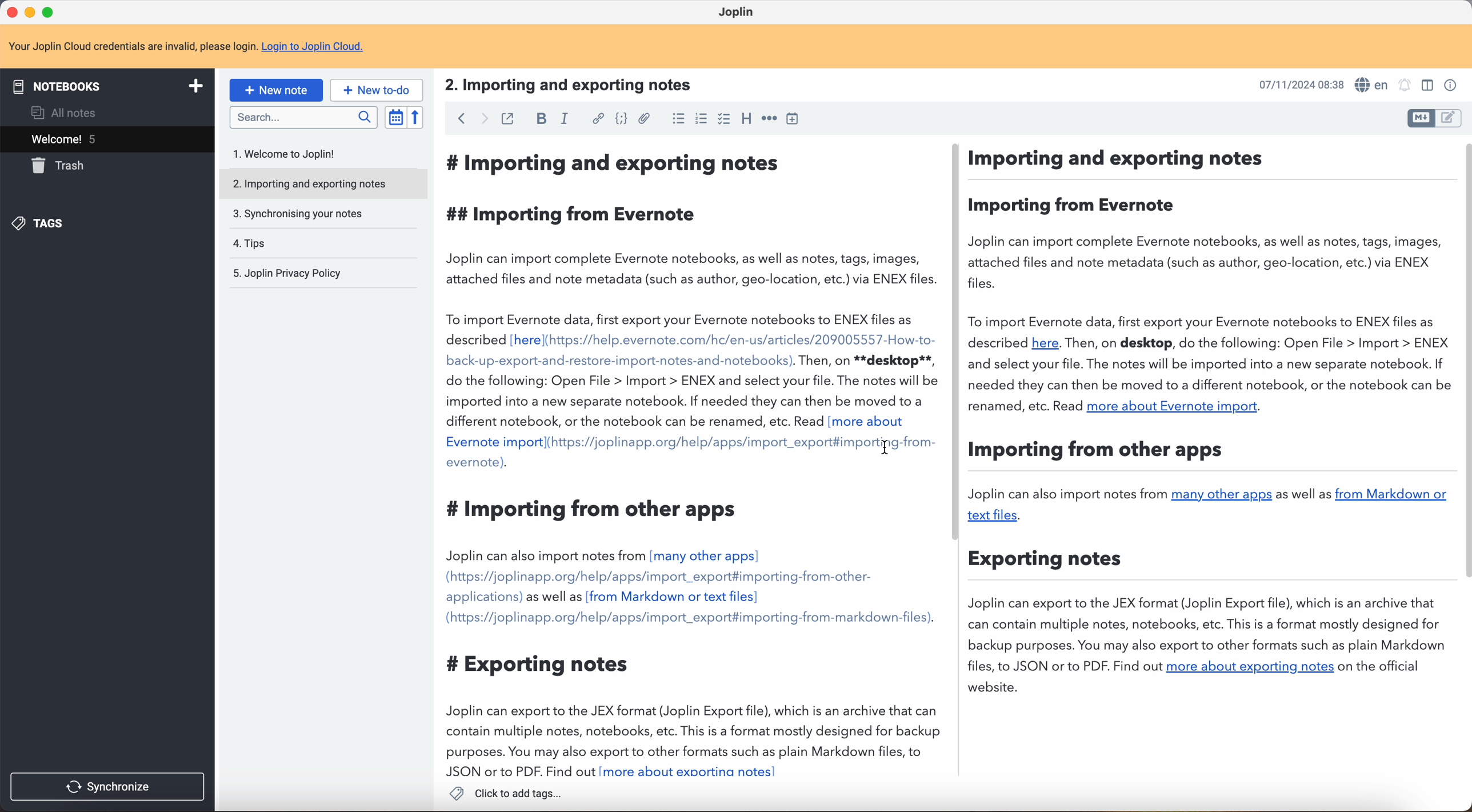 This screenshot has width=1472, height=812. What do you see at coordinates (111, 85) in the screenshot?
I see `notebooks` at bounding box center [111, 85].